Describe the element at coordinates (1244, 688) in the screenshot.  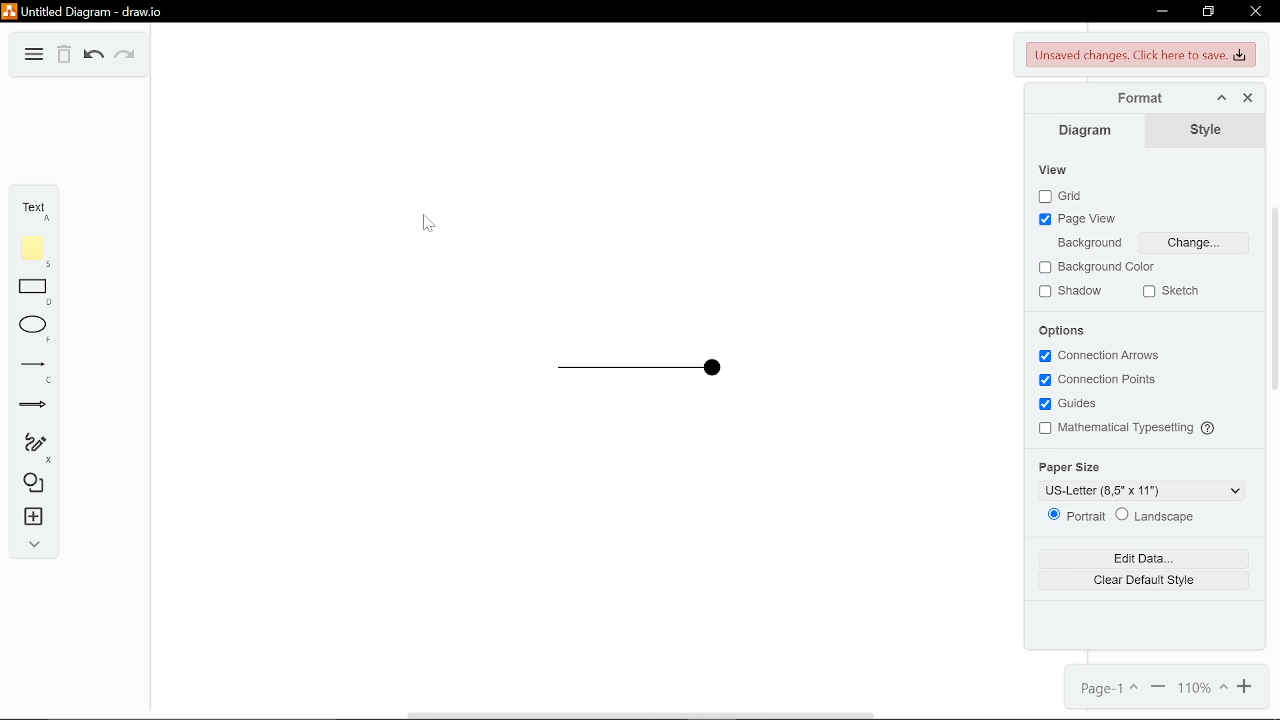
I see `Zoom in` at that location.